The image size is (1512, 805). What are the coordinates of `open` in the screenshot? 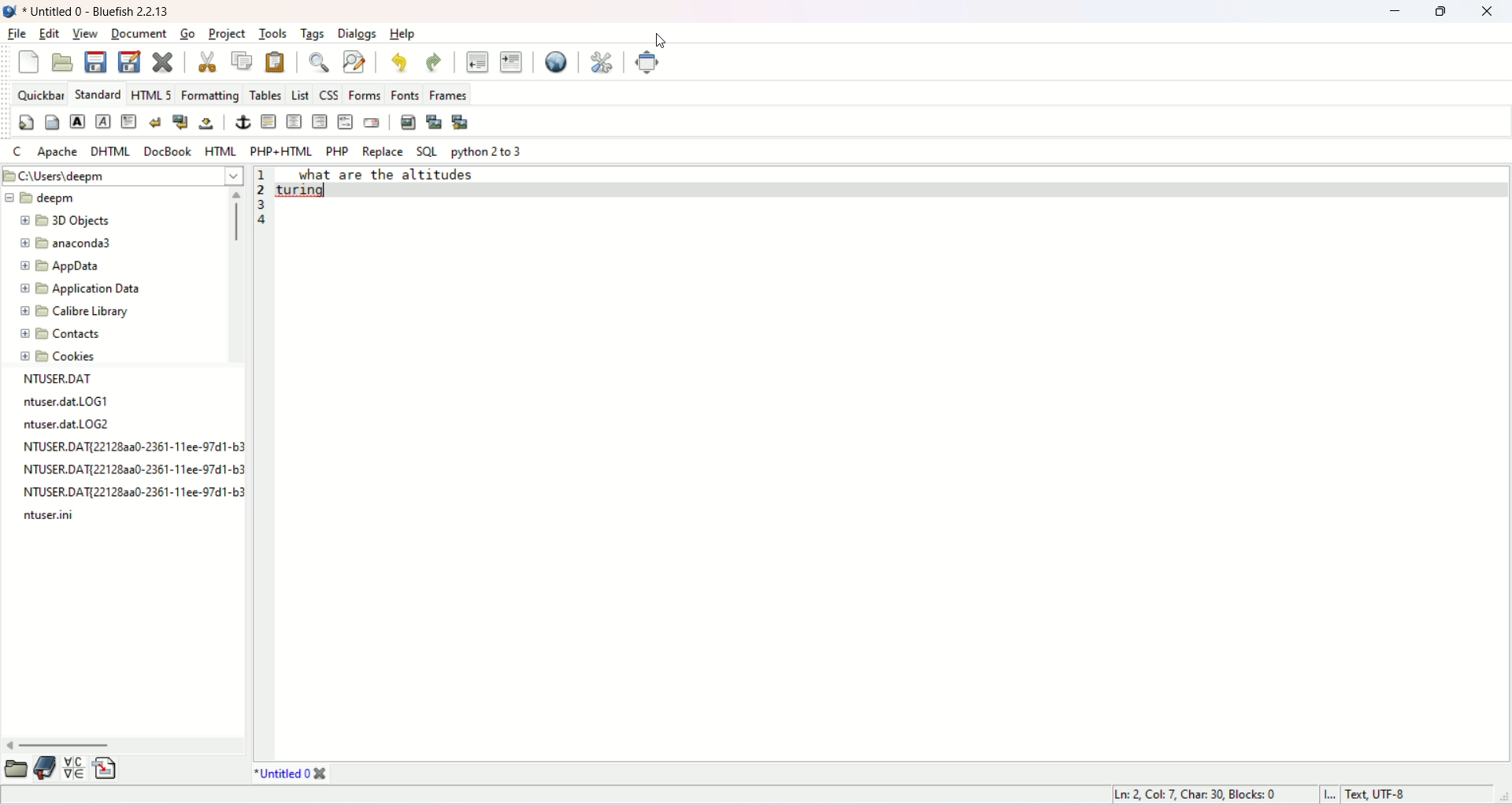 It's located at (17, 769).